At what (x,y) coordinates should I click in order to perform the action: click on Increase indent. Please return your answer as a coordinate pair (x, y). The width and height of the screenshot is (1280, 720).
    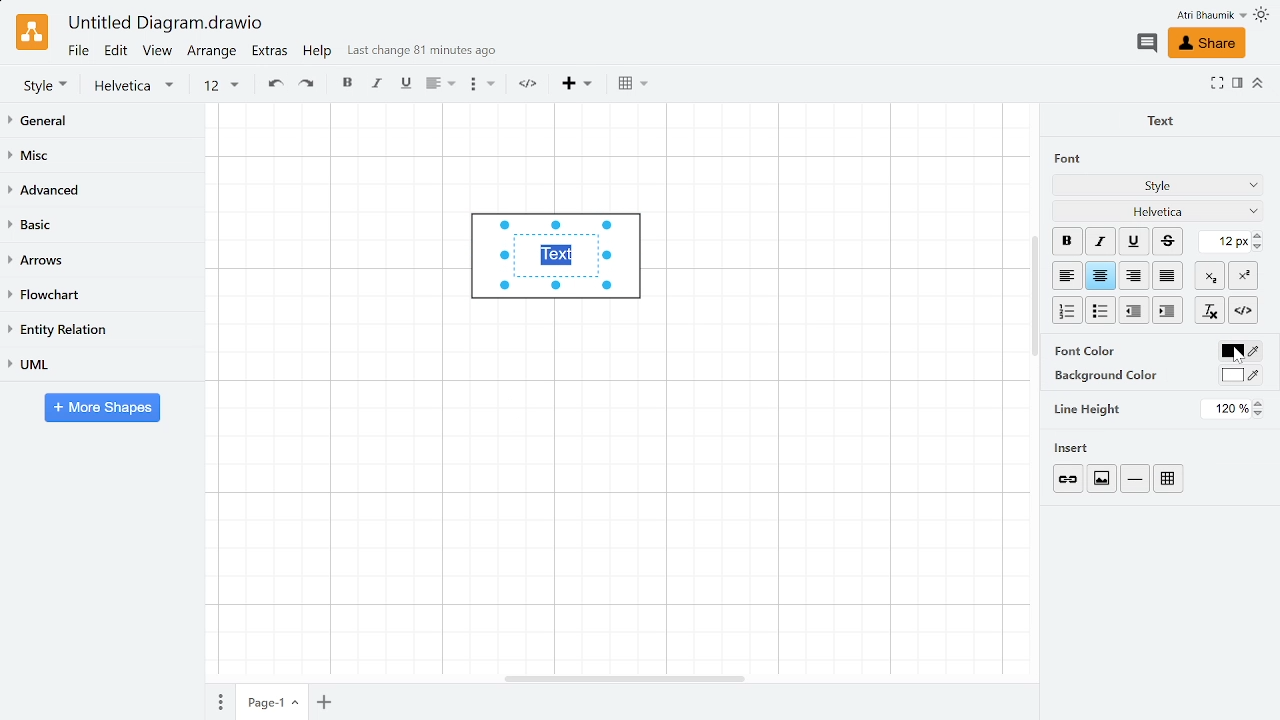
    Looking at the image, I should click on (1135, 309).